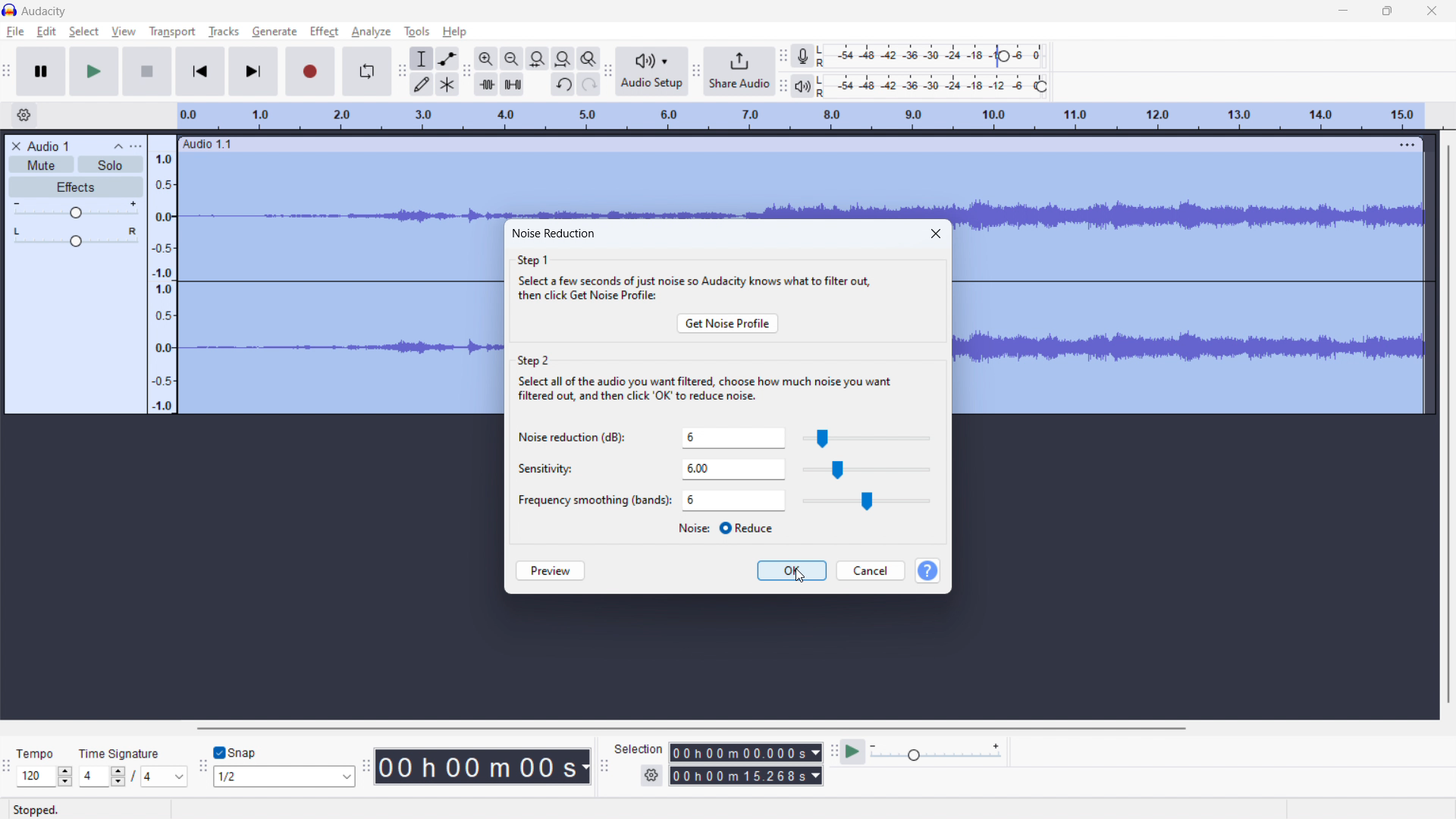  I want to click on slider for selecting noise reduction, so click(867, 438).